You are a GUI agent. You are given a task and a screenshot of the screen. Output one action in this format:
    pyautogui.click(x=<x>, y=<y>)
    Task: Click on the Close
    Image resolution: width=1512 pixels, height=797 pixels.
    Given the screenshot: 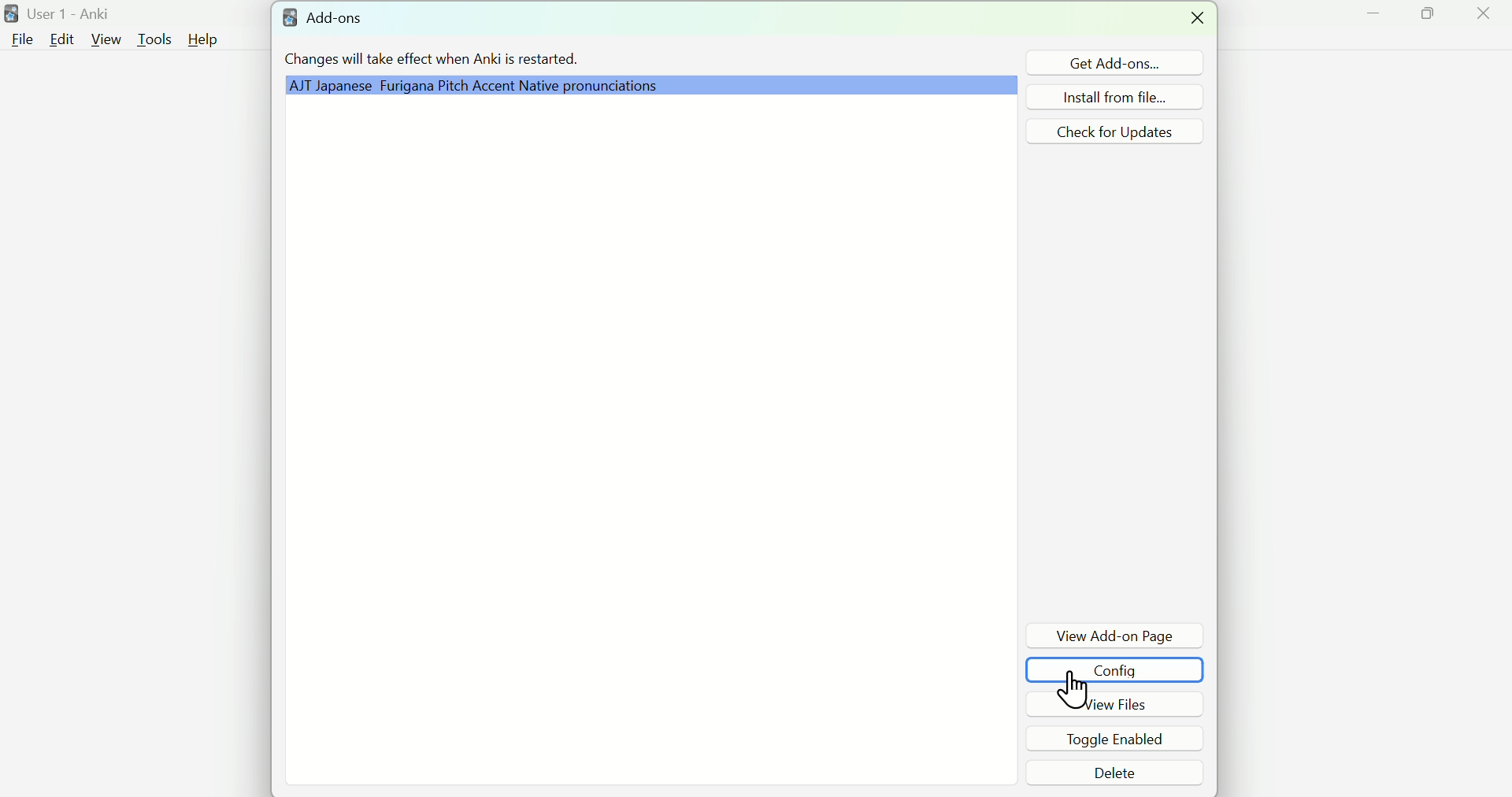 What is the action you would take?
    pyautogui.click(x=1199, y=16)
    